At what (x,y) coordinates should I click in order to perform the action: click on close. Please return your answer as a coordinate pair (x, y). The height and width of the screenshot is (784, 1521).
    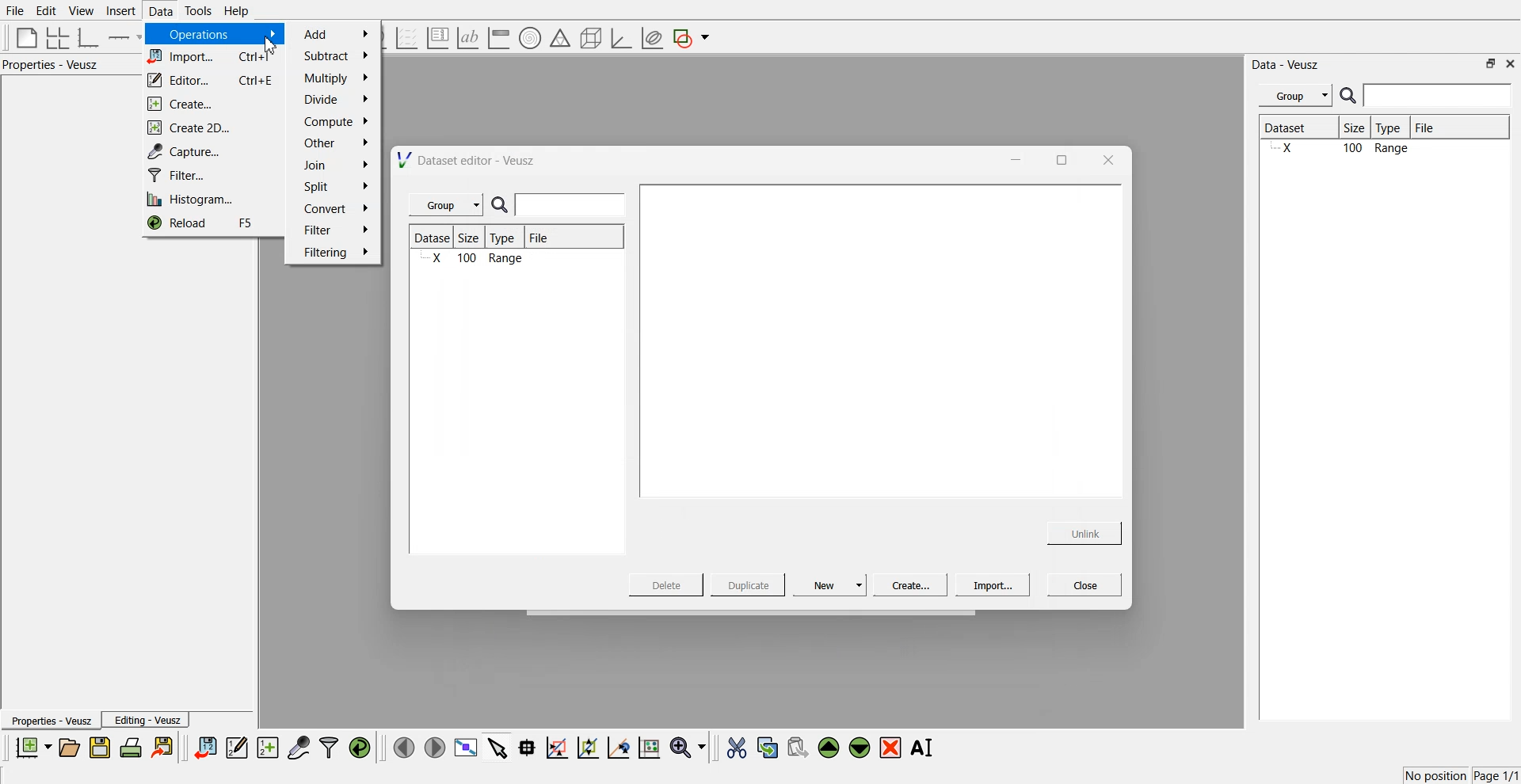
    Looking at the image, I should click on (1107, 159).